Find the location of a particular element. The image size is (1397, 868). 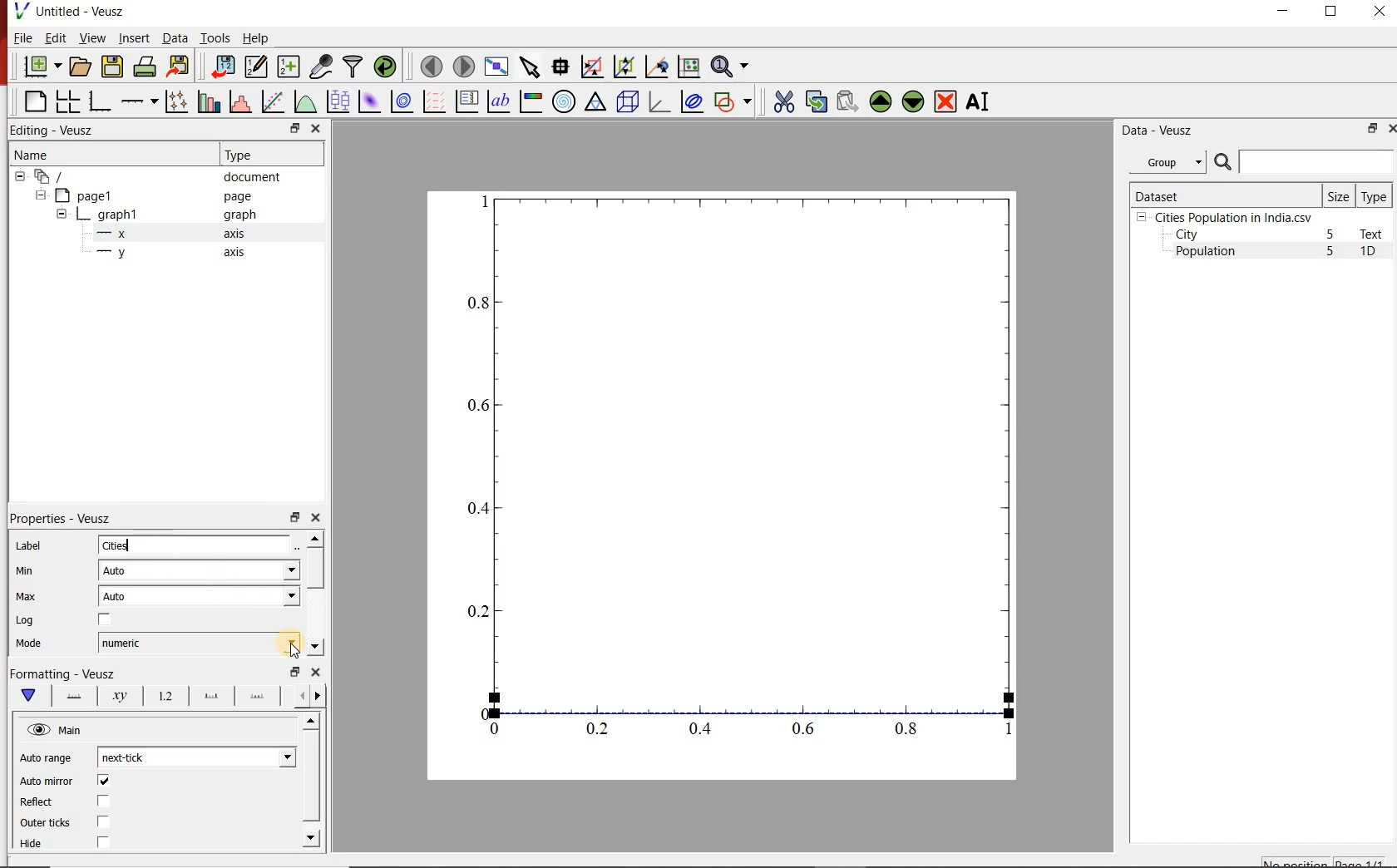

fit a function to data is located at coordinates (272, 101).